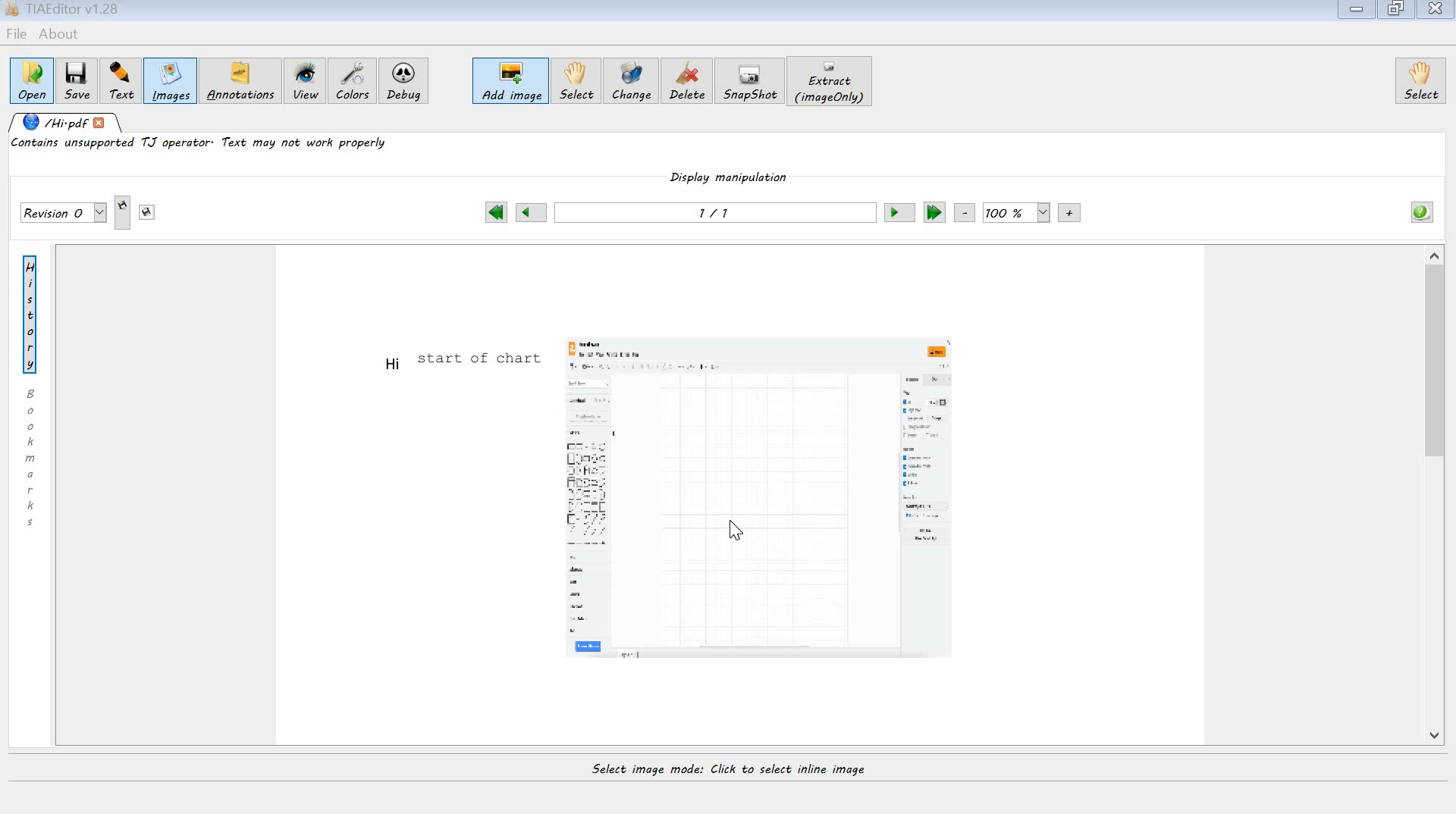 The width and height of the screenshot is (1456, 814). Describe the element at coordinates (759, 502) in the screenshot. I see `Image` at that location.